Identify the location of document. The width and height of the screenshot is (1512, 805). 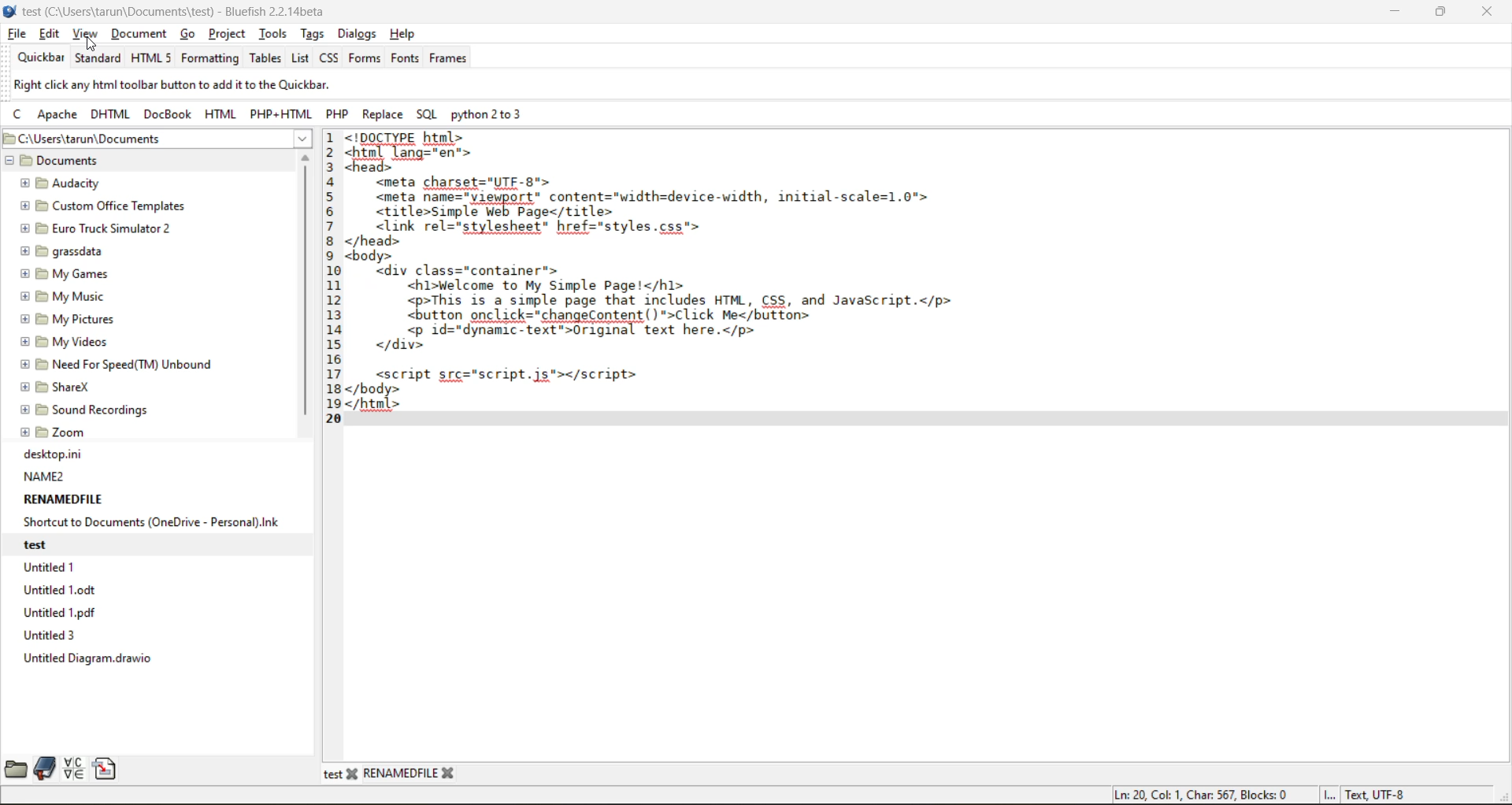
(141, 34).